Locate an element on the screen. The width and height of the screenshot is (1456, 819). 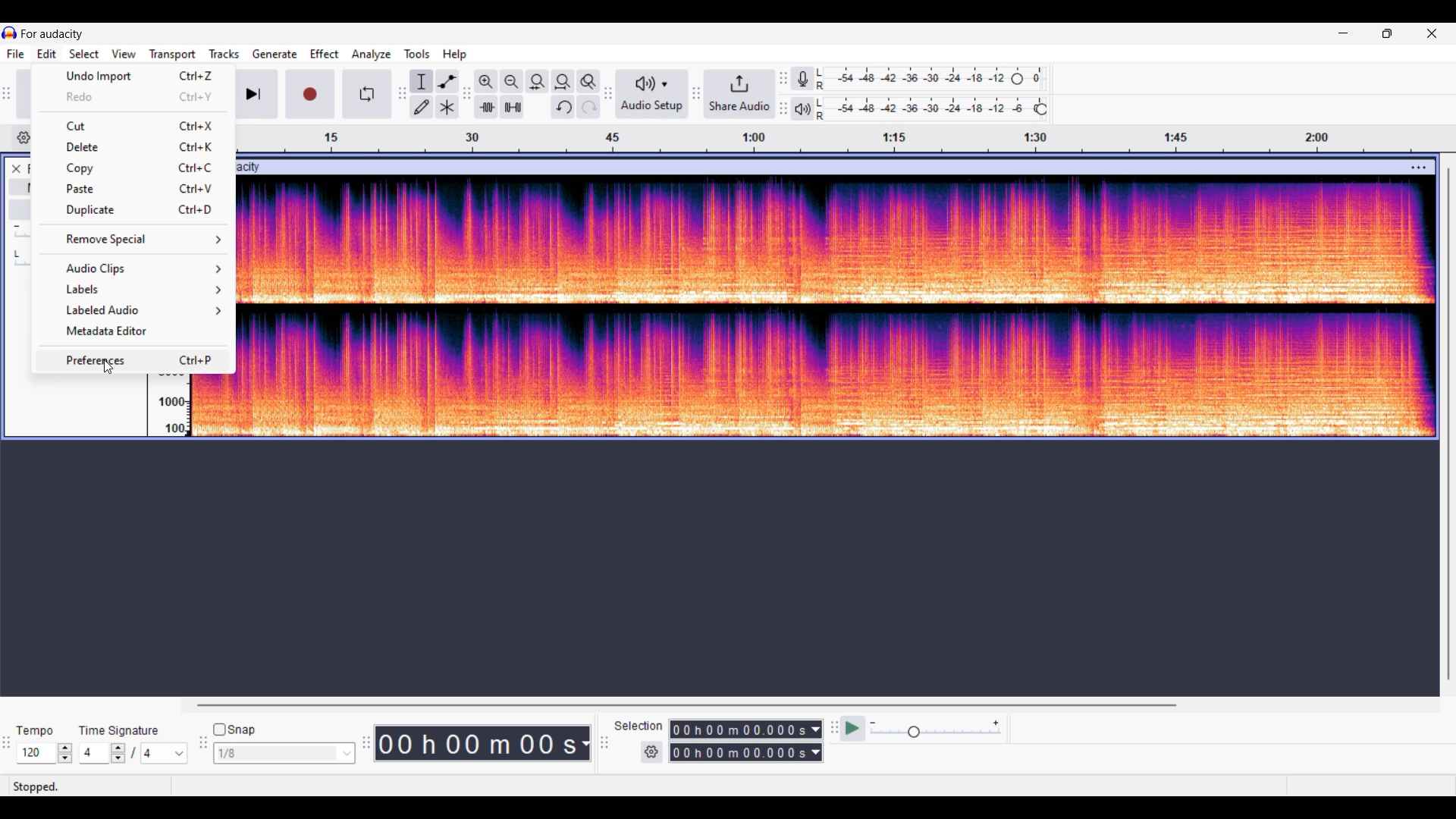
Multi tool is located at coordinates (447, 107).